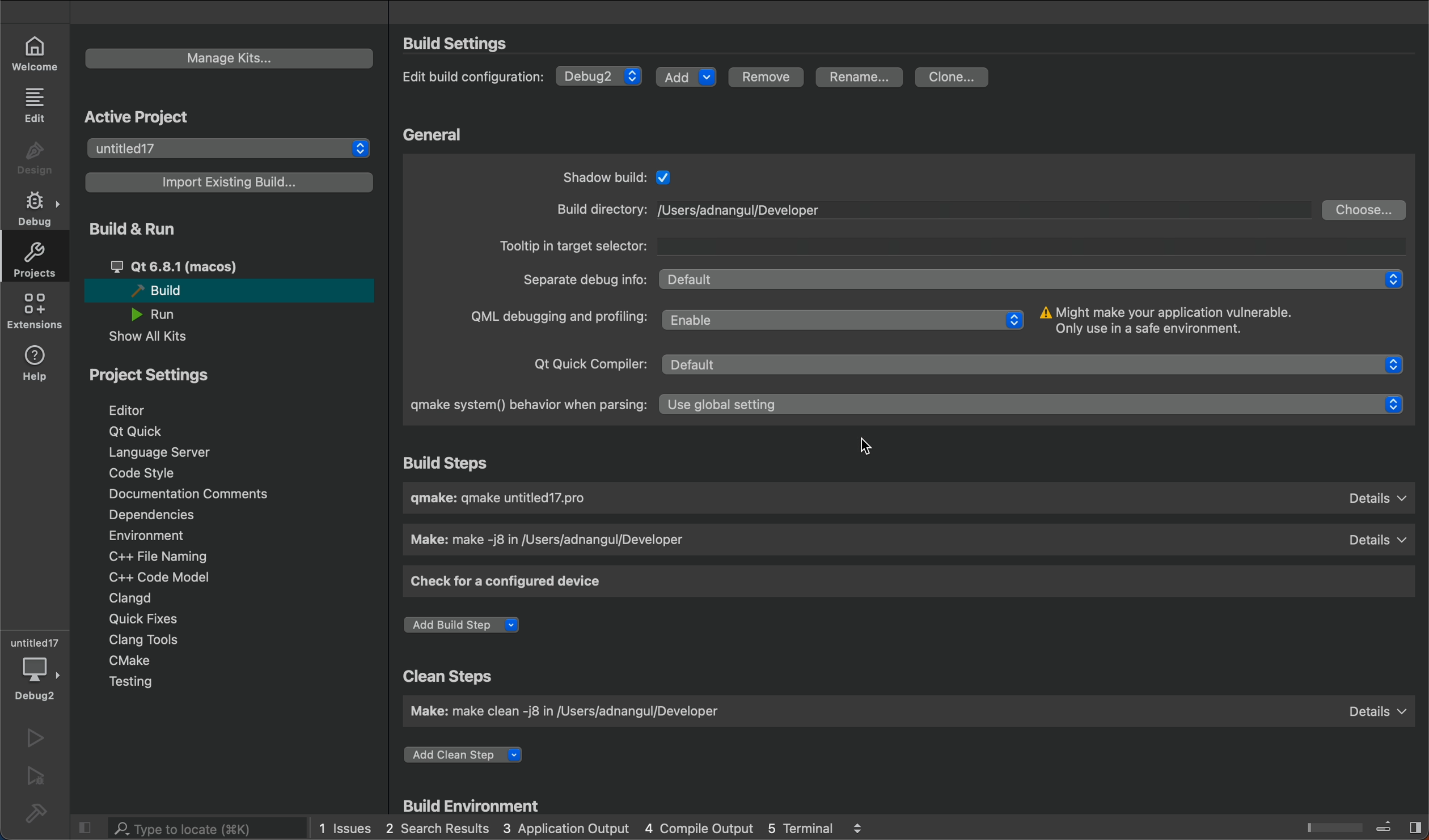  What do you see at coordinates (192, 493) in the screenshot?
I see `documentation comments` at bounding box center [192, 493].